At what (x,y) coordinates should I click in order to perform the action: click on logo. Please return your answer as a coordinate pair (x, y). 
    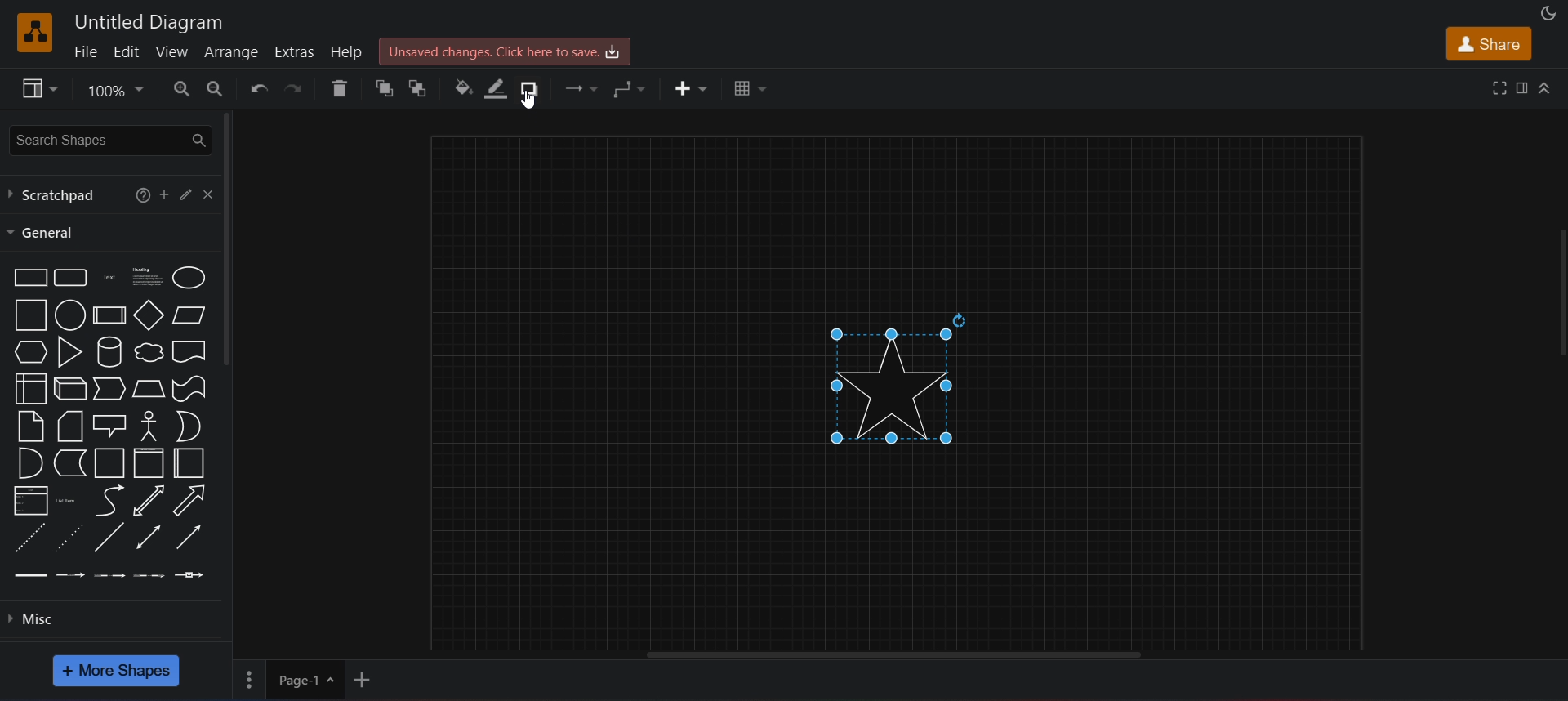
    Looking at the image, I should click on (34, 30).